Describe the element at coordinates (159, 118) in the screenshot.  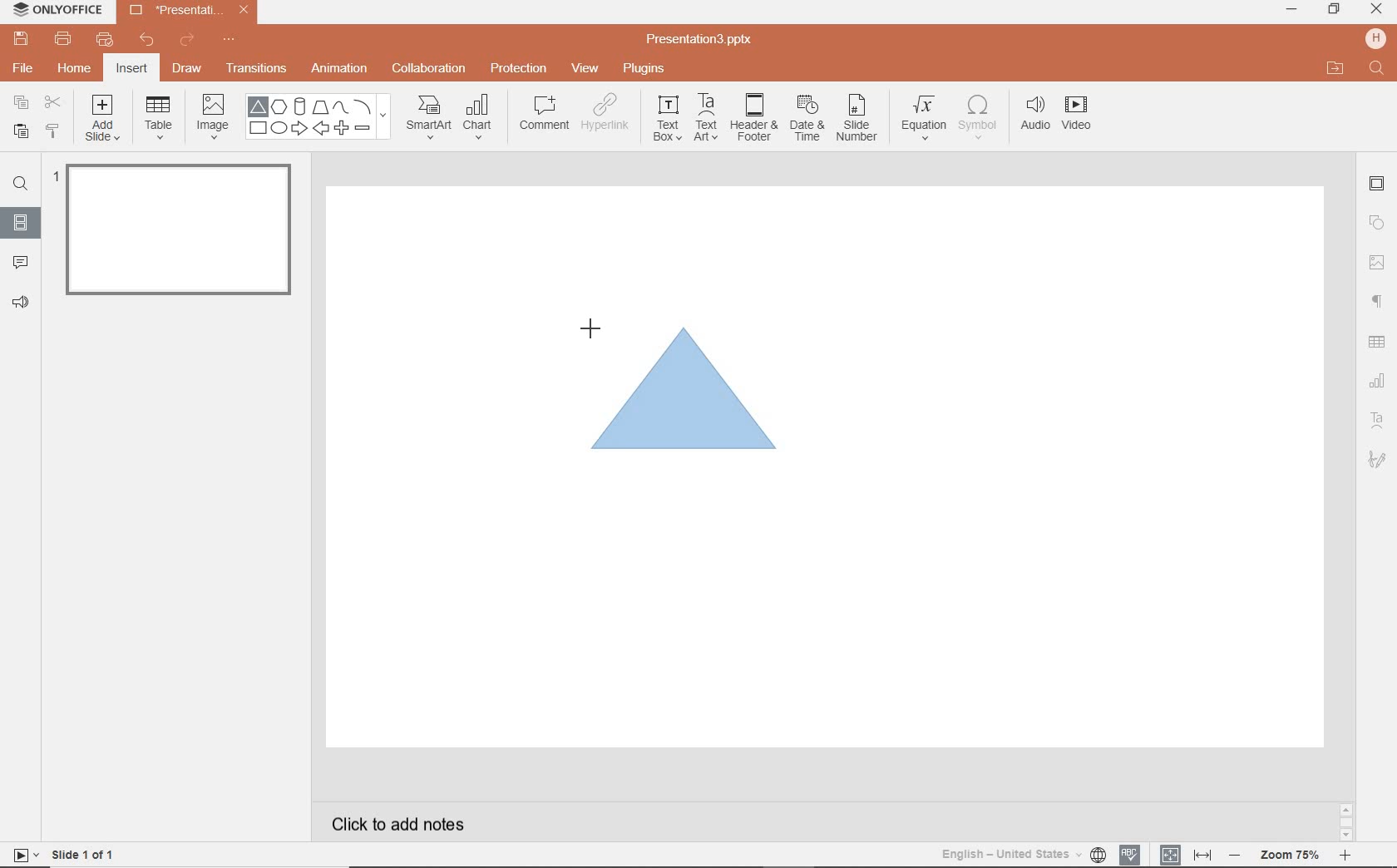
I see `TABLE` at that location.